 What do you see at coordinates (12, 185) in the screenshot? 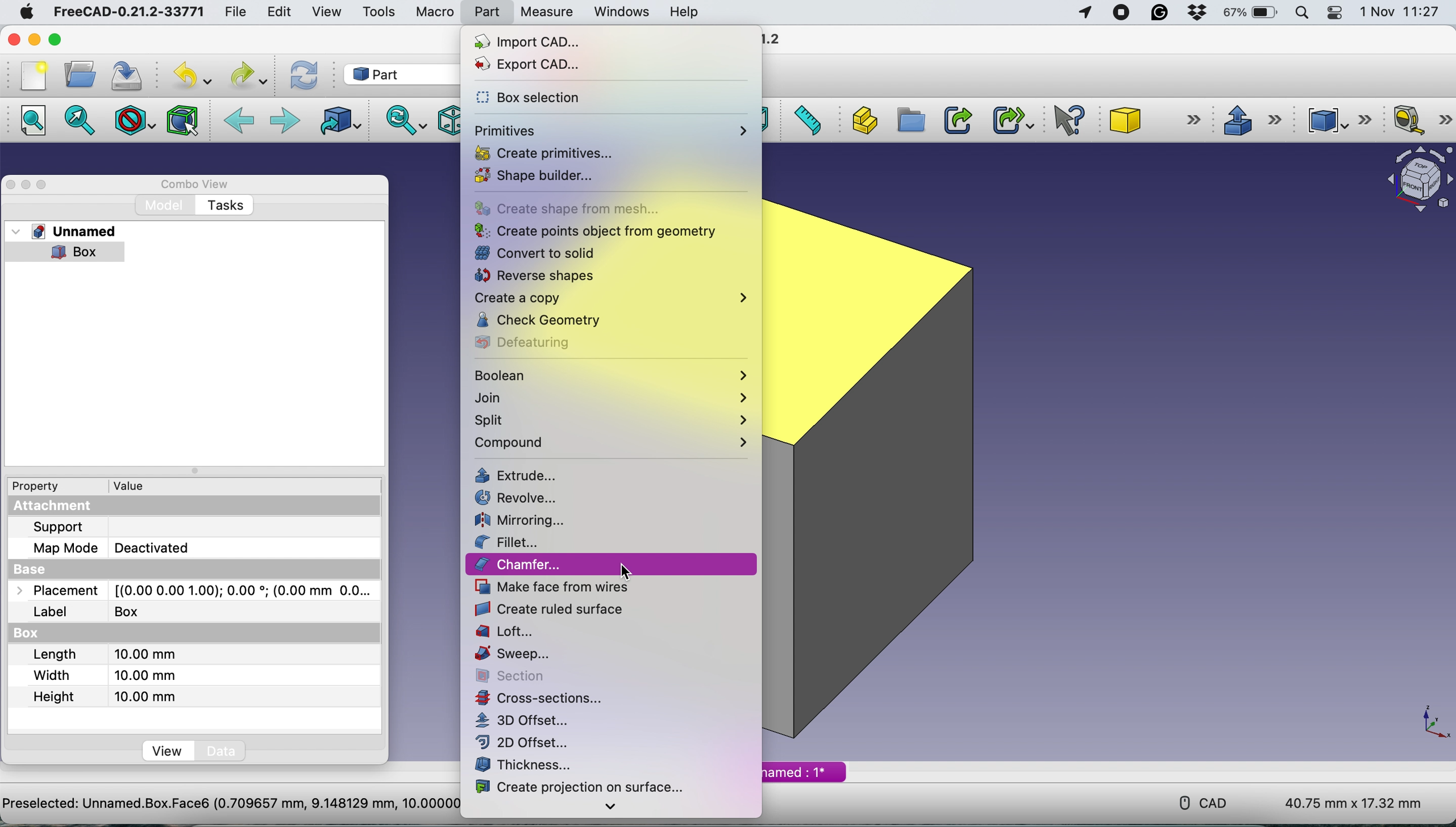
I see `close` at bounding box center [12, 185].